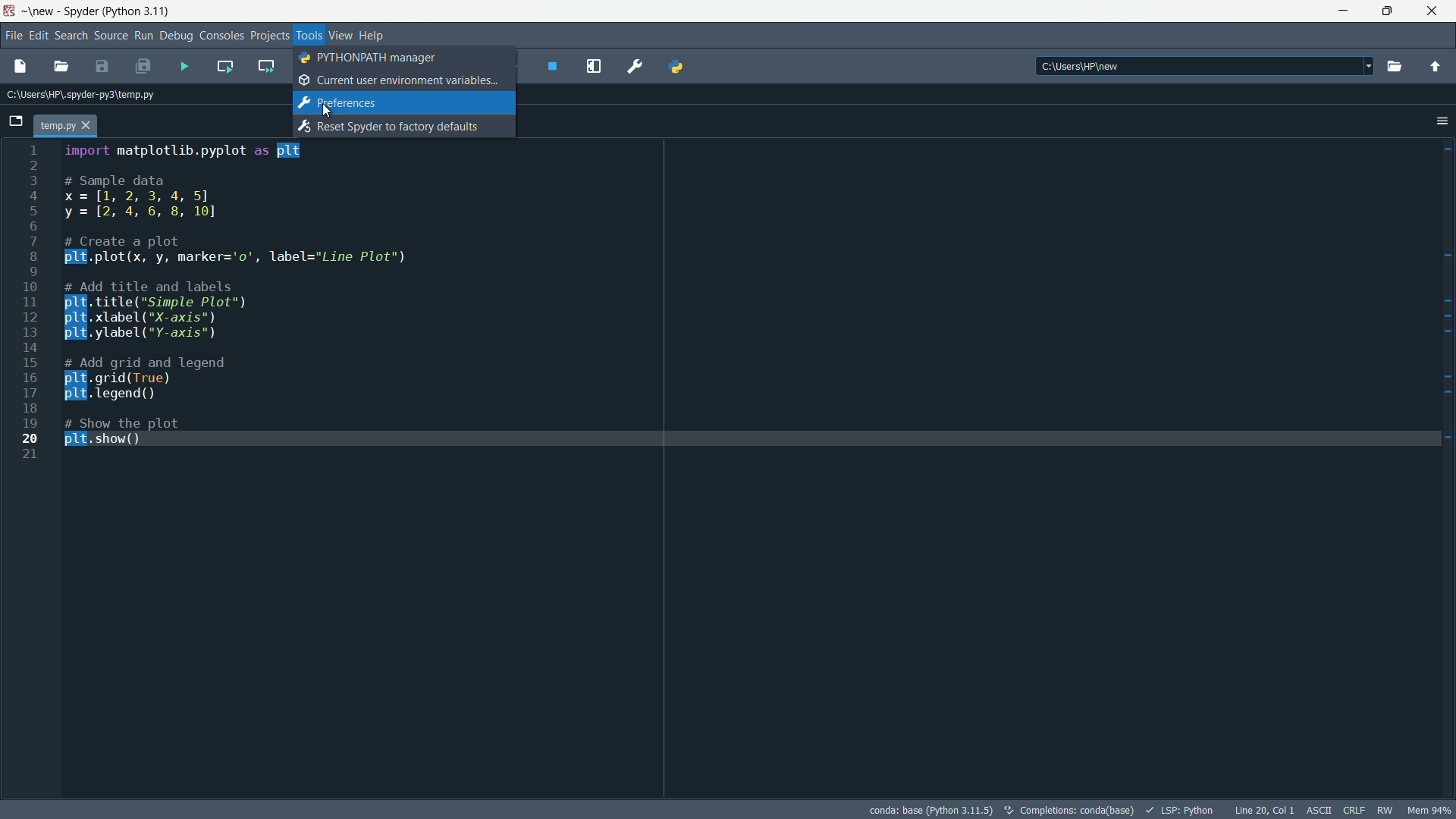 This screenshot has width=1456, height=819. Describe the element at coordinates (143, 34) in the screenshot. I see `run` at that location.